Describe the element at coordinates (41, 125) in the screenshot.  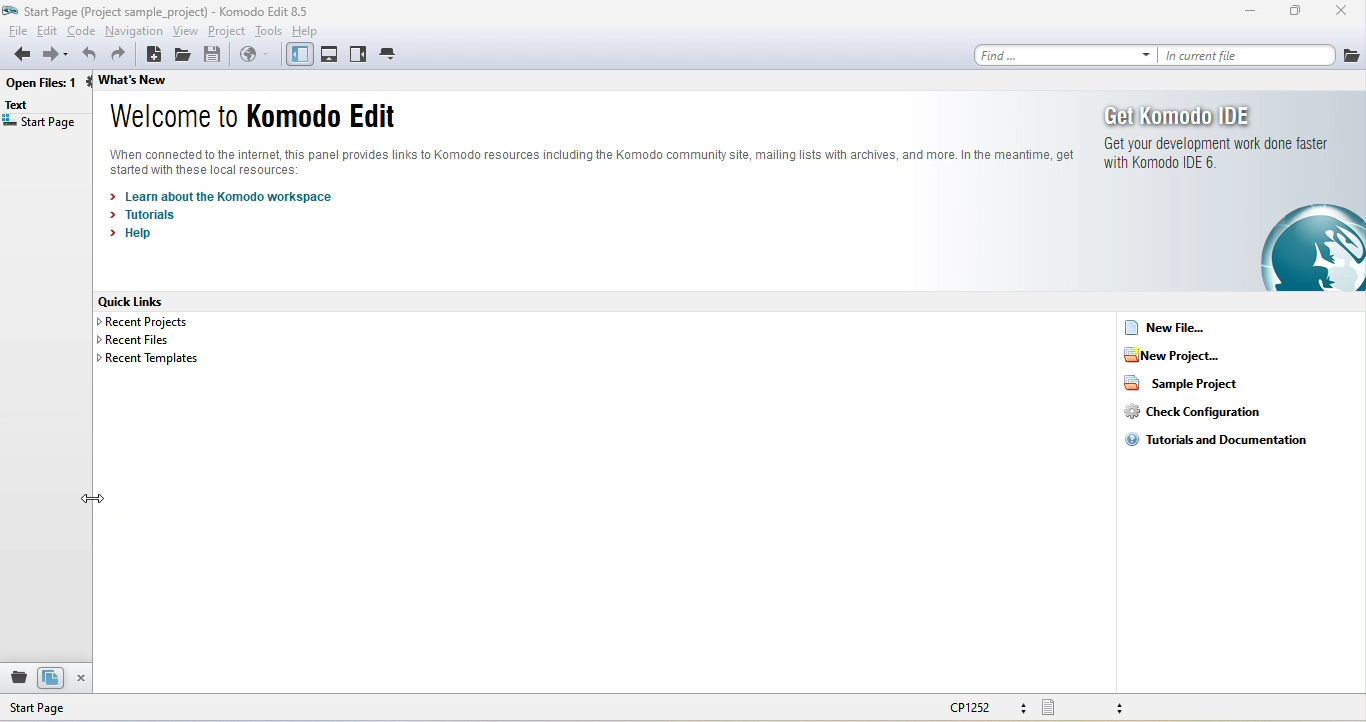
I see `start page` at that location.